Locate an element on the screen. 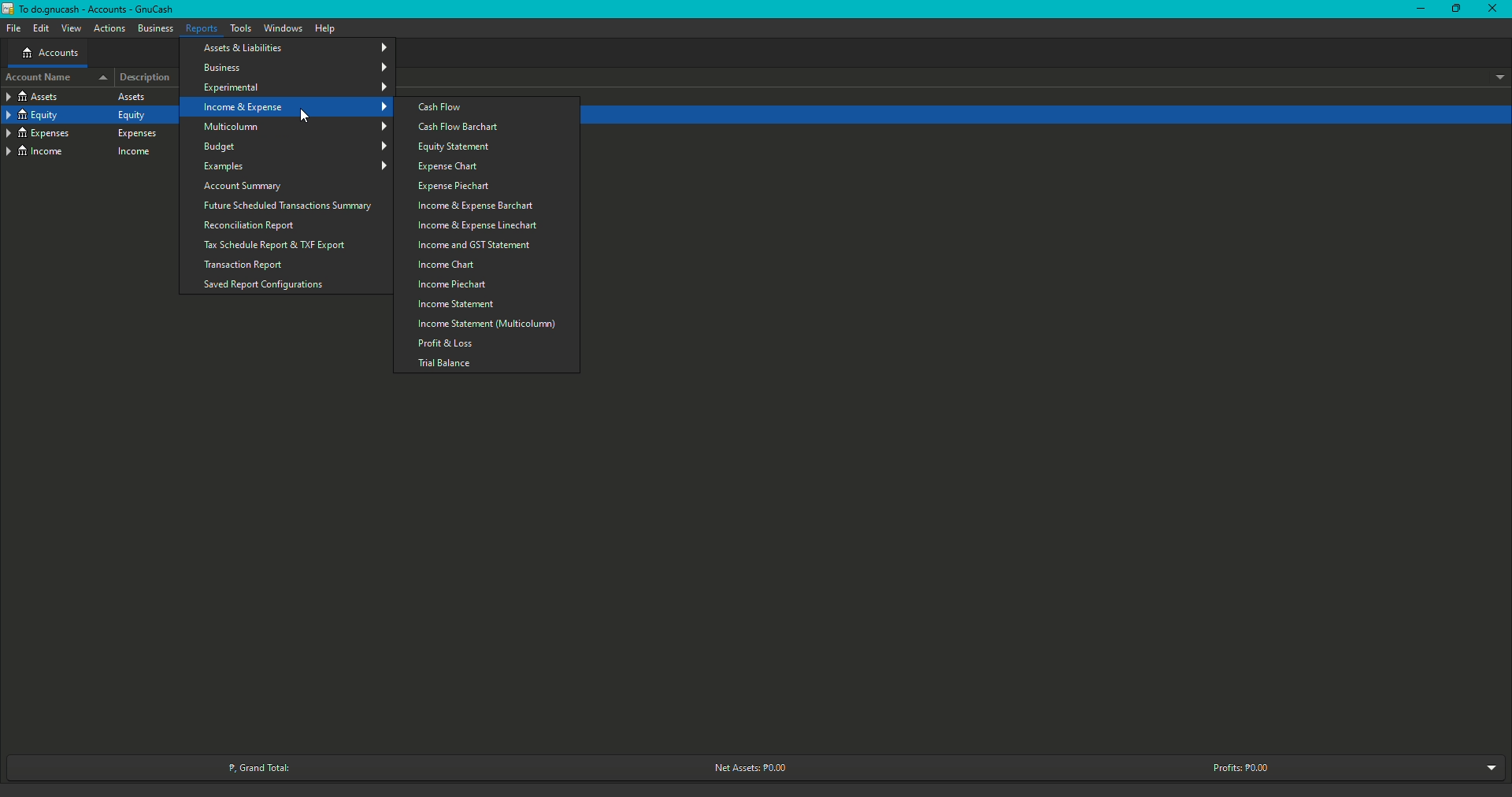  Reconciliation Report is located at coordinates (253, 227).